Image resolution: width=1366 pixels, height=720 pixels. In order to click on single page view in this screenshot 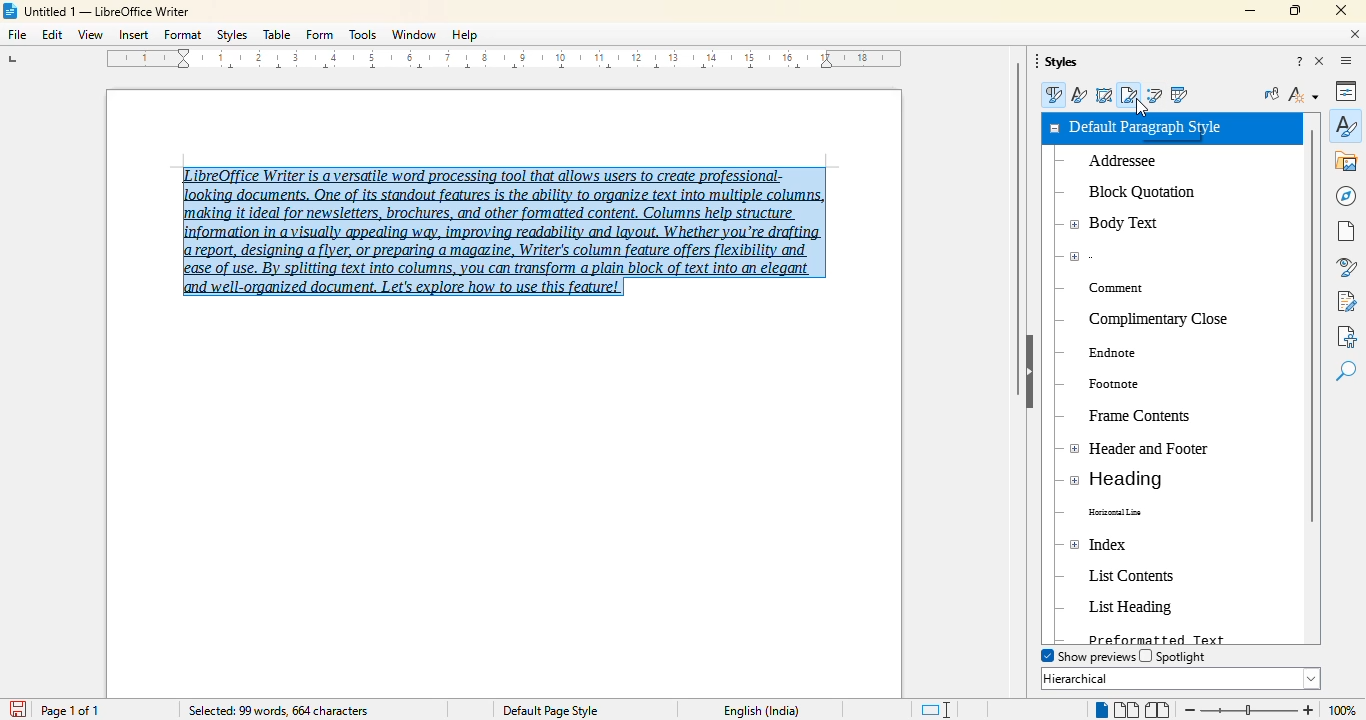, I will do `click(1097, 710)`.